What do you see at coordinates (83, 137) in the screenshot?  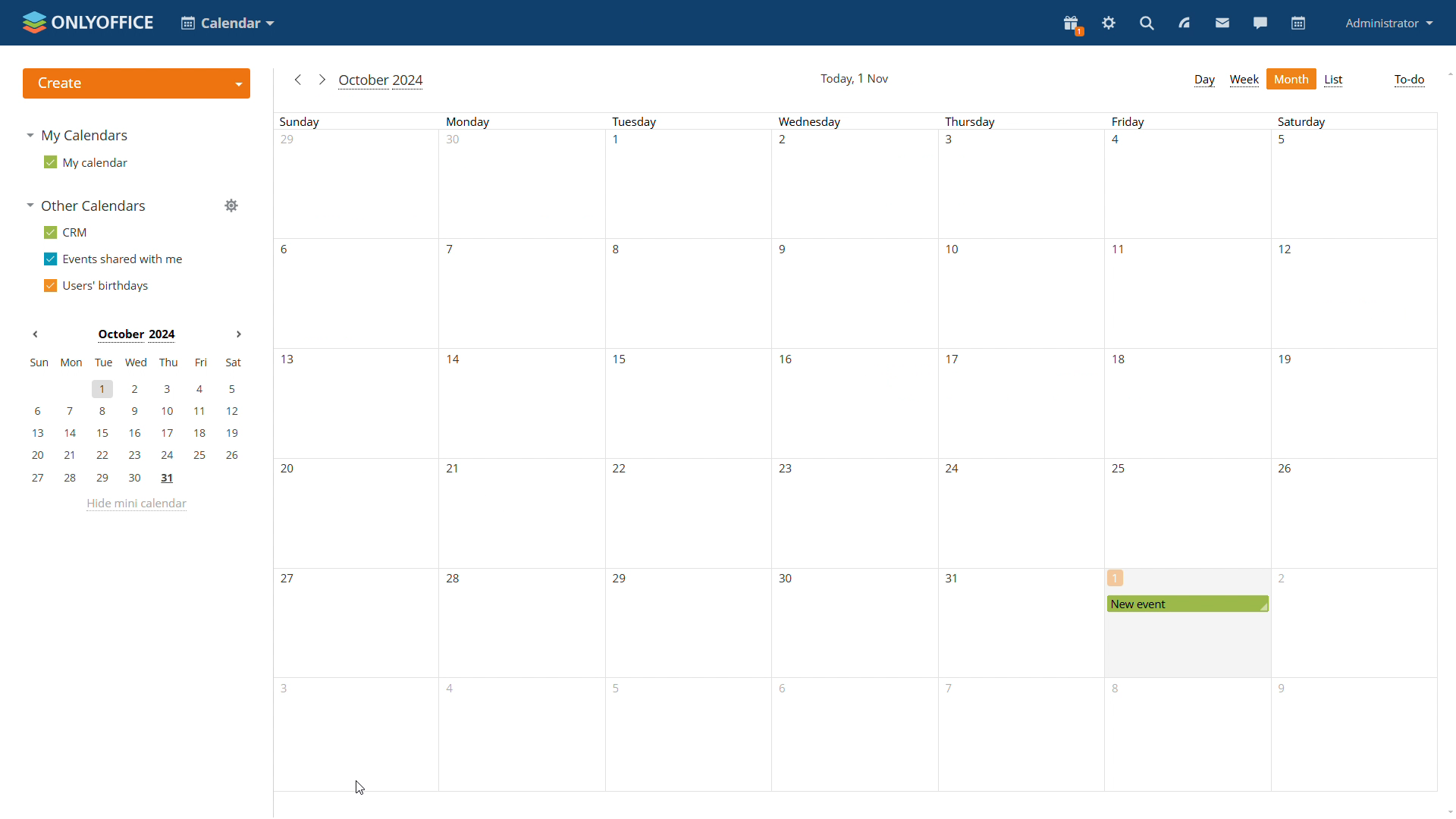 I see `my calendars` at bounding box center [83, 137].